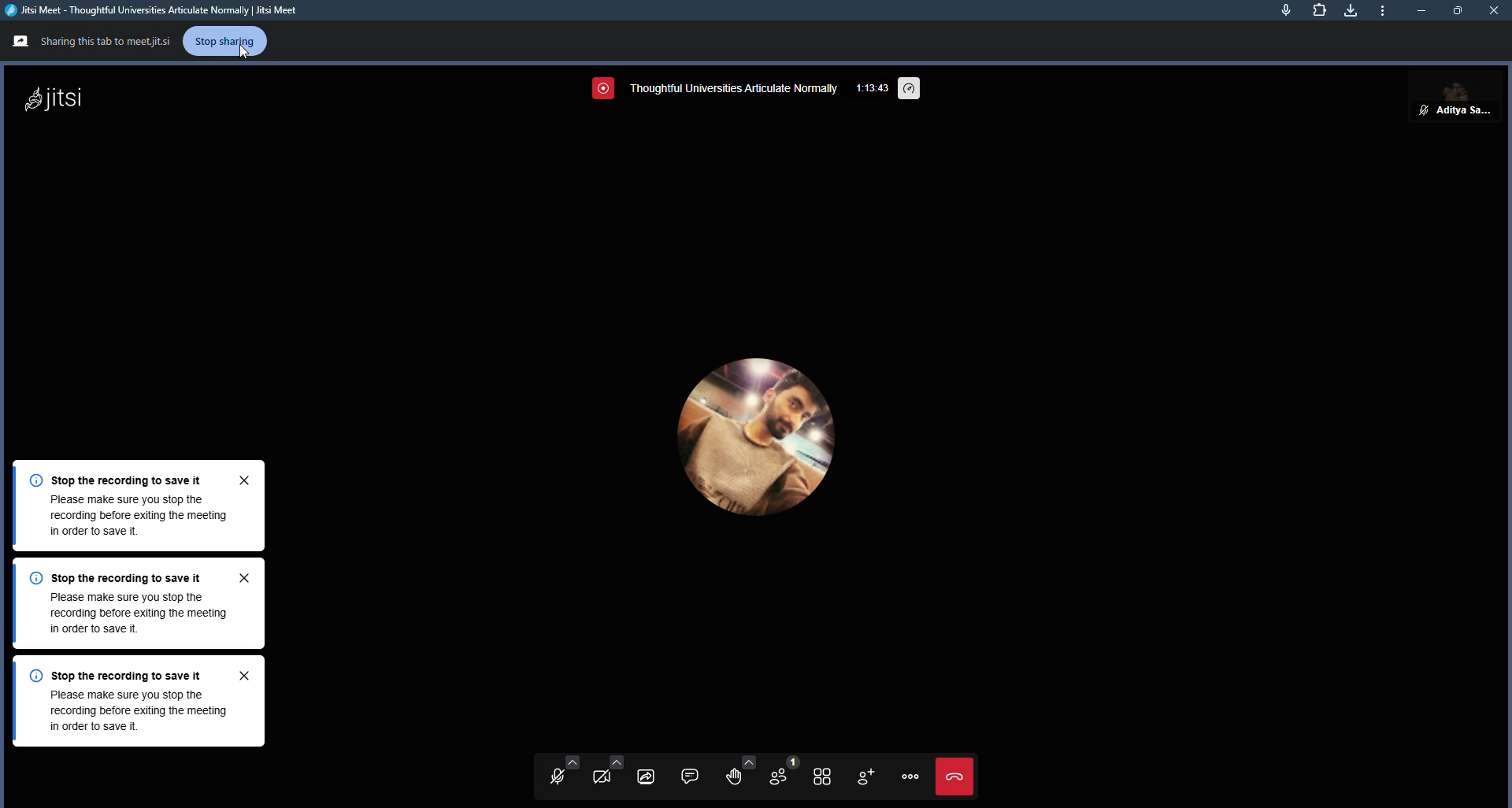 The width and height of the screenshot is (1512, 808). I want to click on start camera, so click(603, 772).